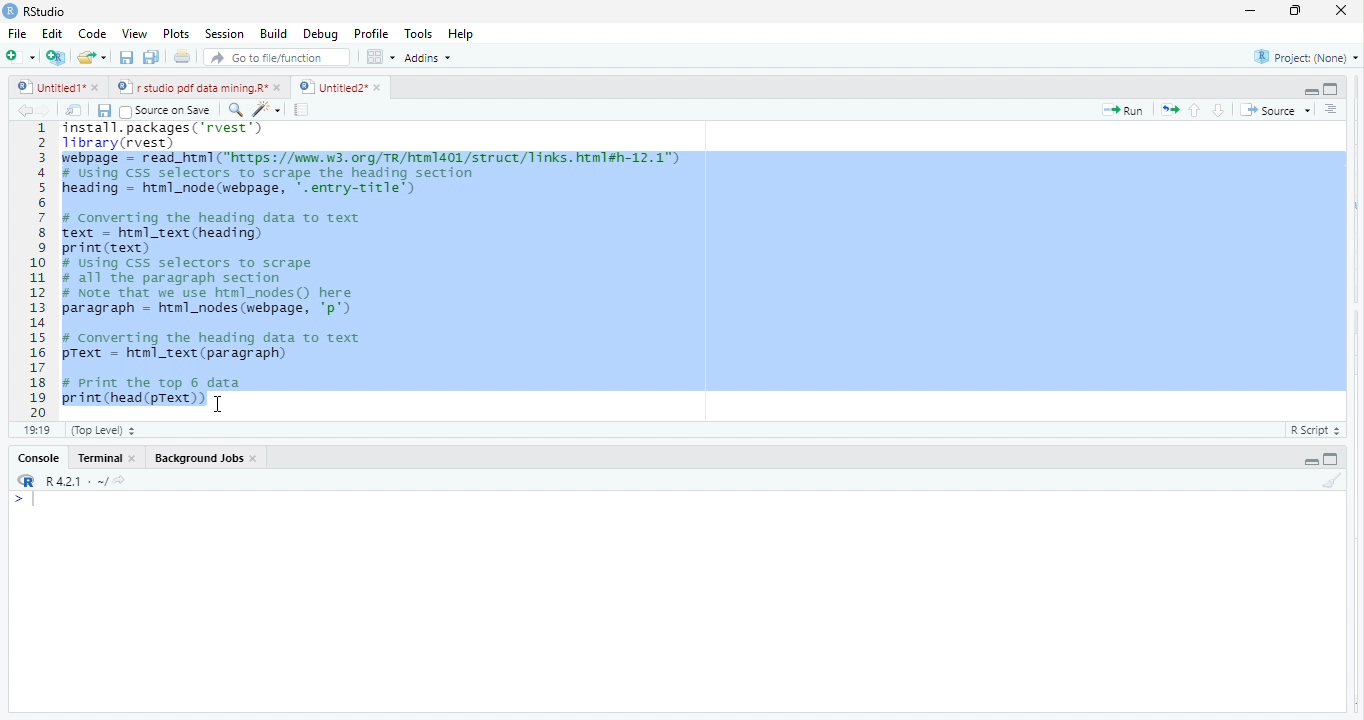 The width and height of the screenshot is (1364, 720). I want to click on hide console, so click(1329, 459).